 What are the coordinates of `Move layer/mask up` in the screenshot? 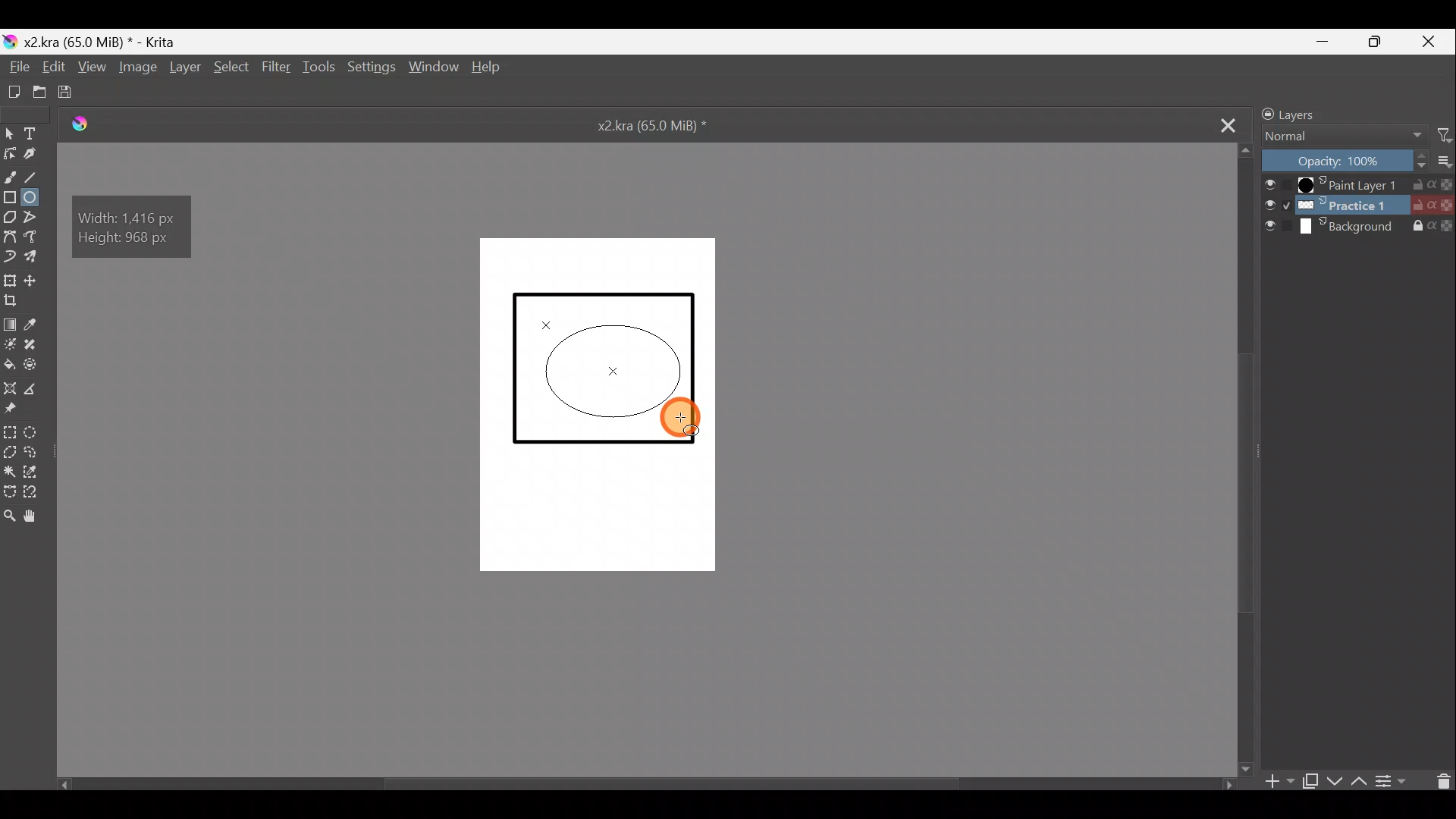 It's located at (1357, 778).